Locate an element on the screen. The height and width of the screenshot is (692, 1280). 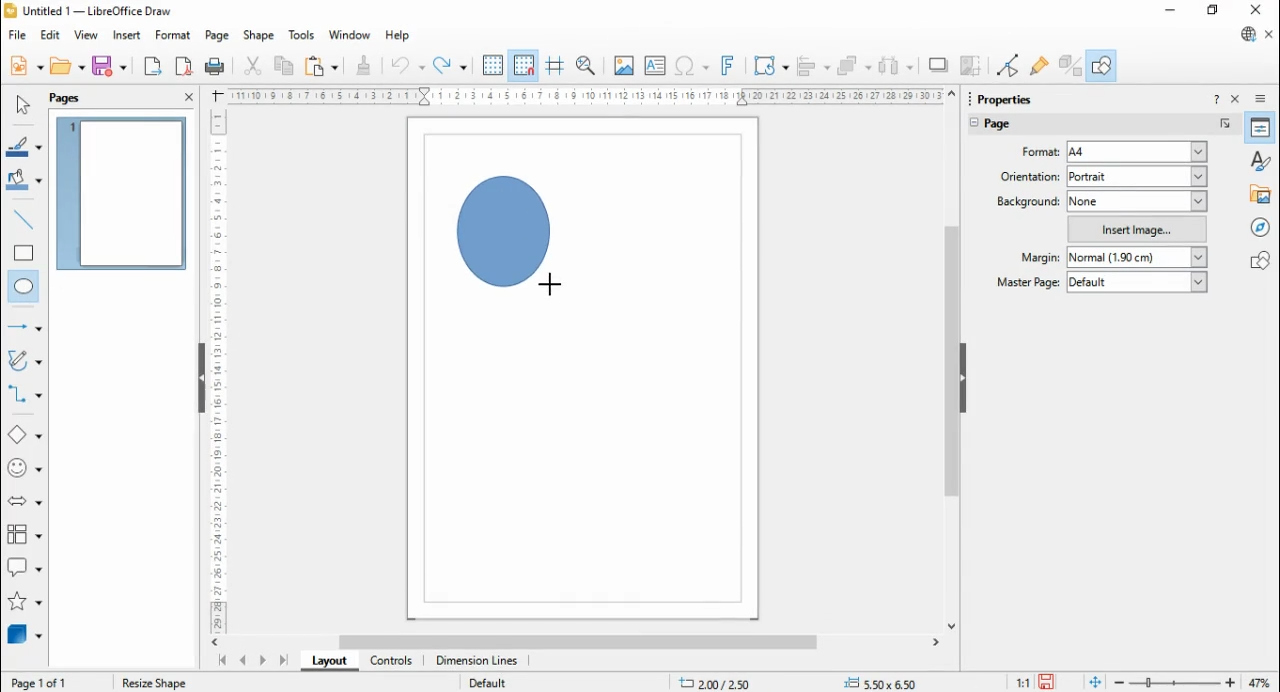
show draw functions is located at coordinates (1101, 65).